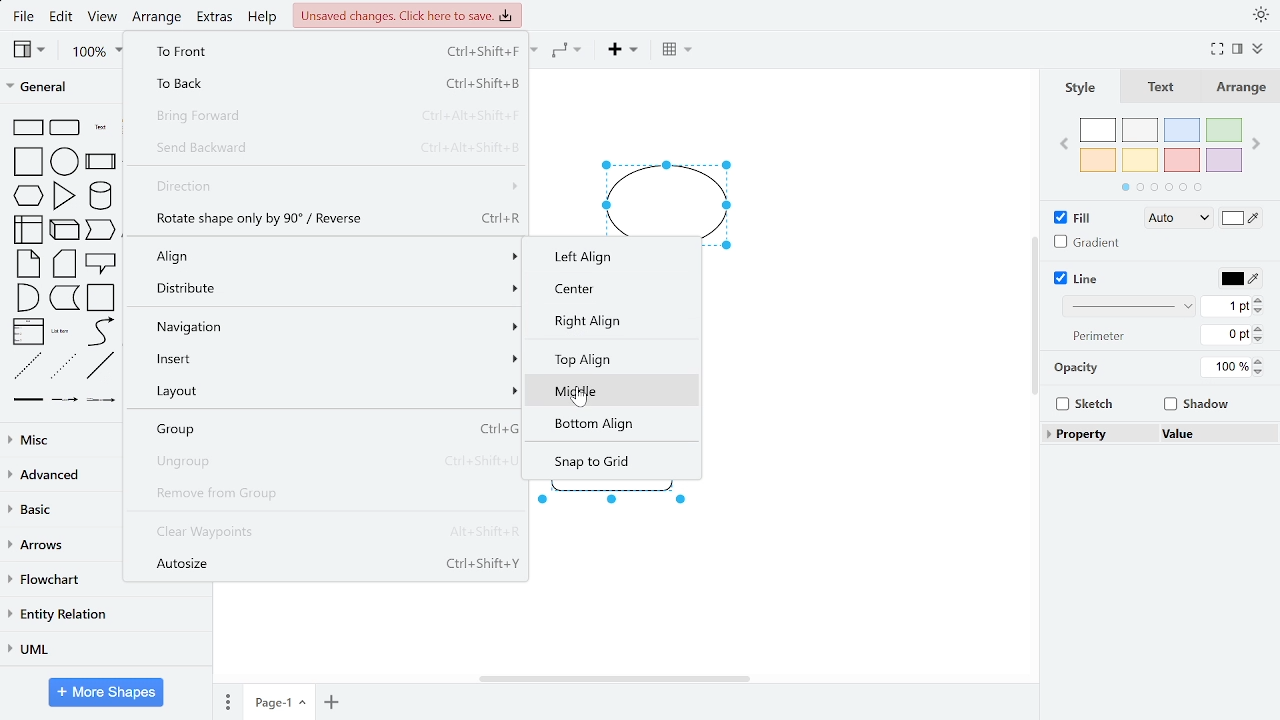 This screenshot has width=1280, height=720. Describe the element at coordinates (62, 332) in the screenshot. I see `list item` at that location.